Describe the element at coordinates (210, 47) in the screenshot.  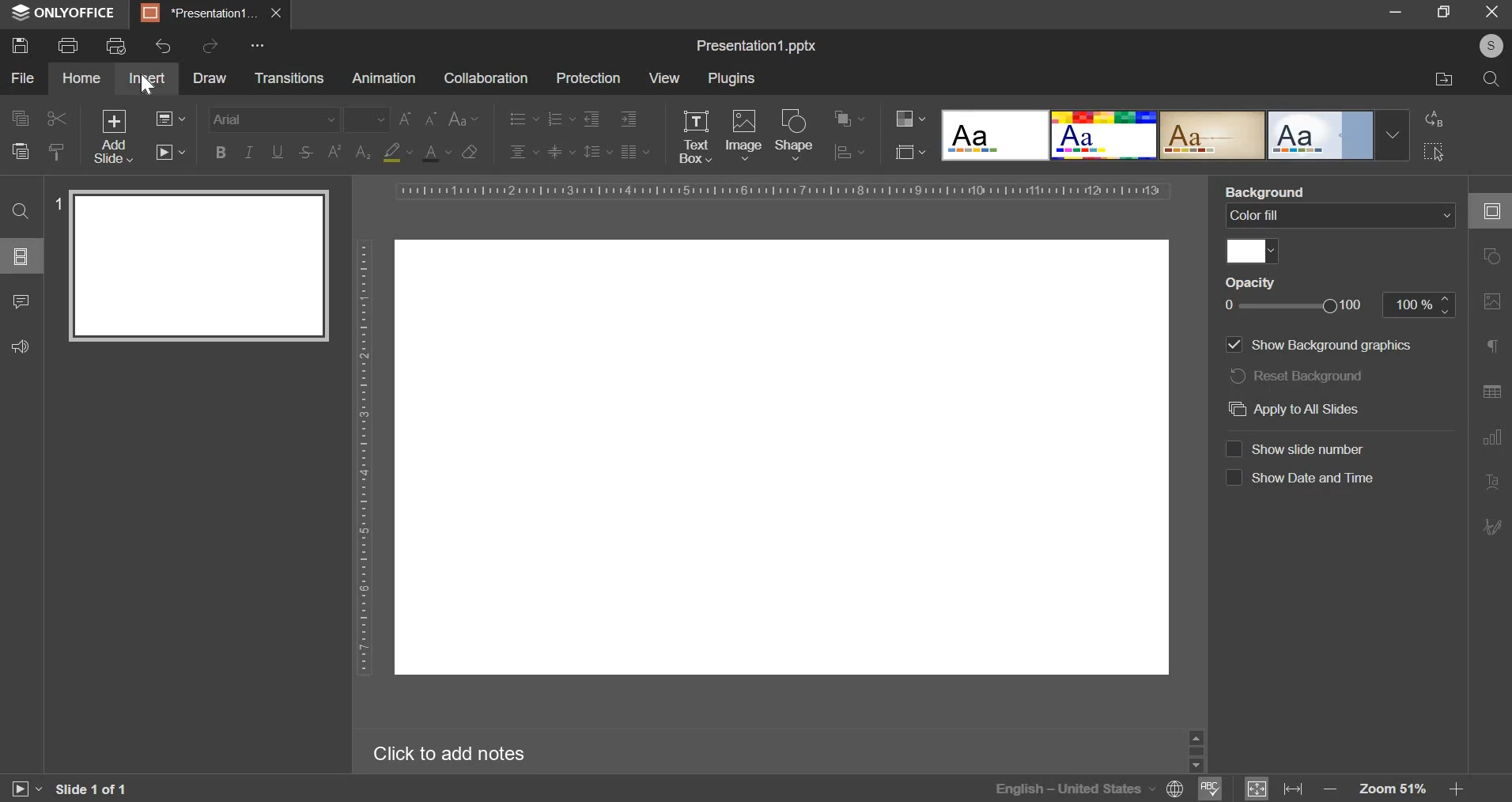
I see `redo` at that location.